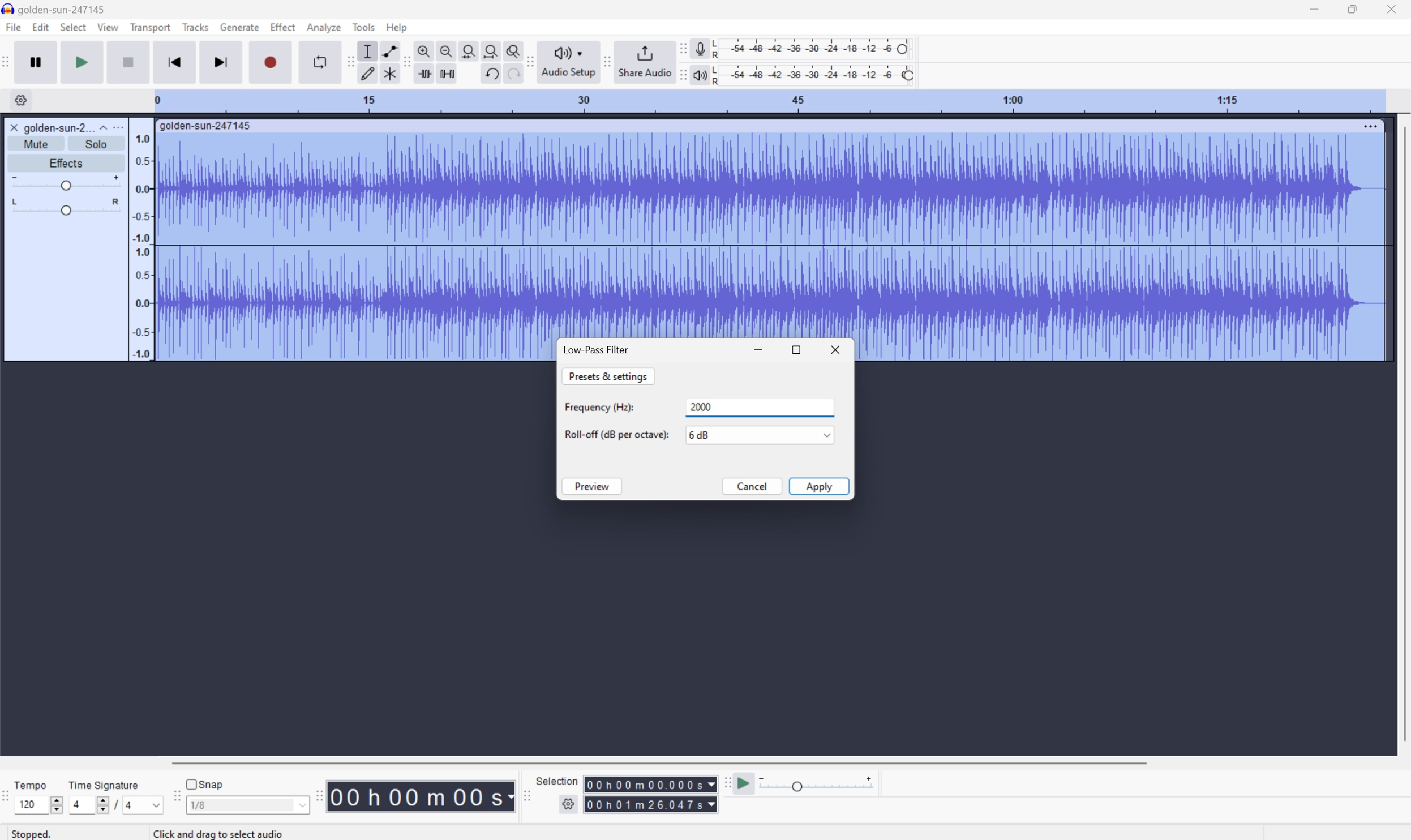 The image size is (1411, 840). Describe the element at coordinates (798, 349) in the screenshot. I see `Restore Down` at that location.